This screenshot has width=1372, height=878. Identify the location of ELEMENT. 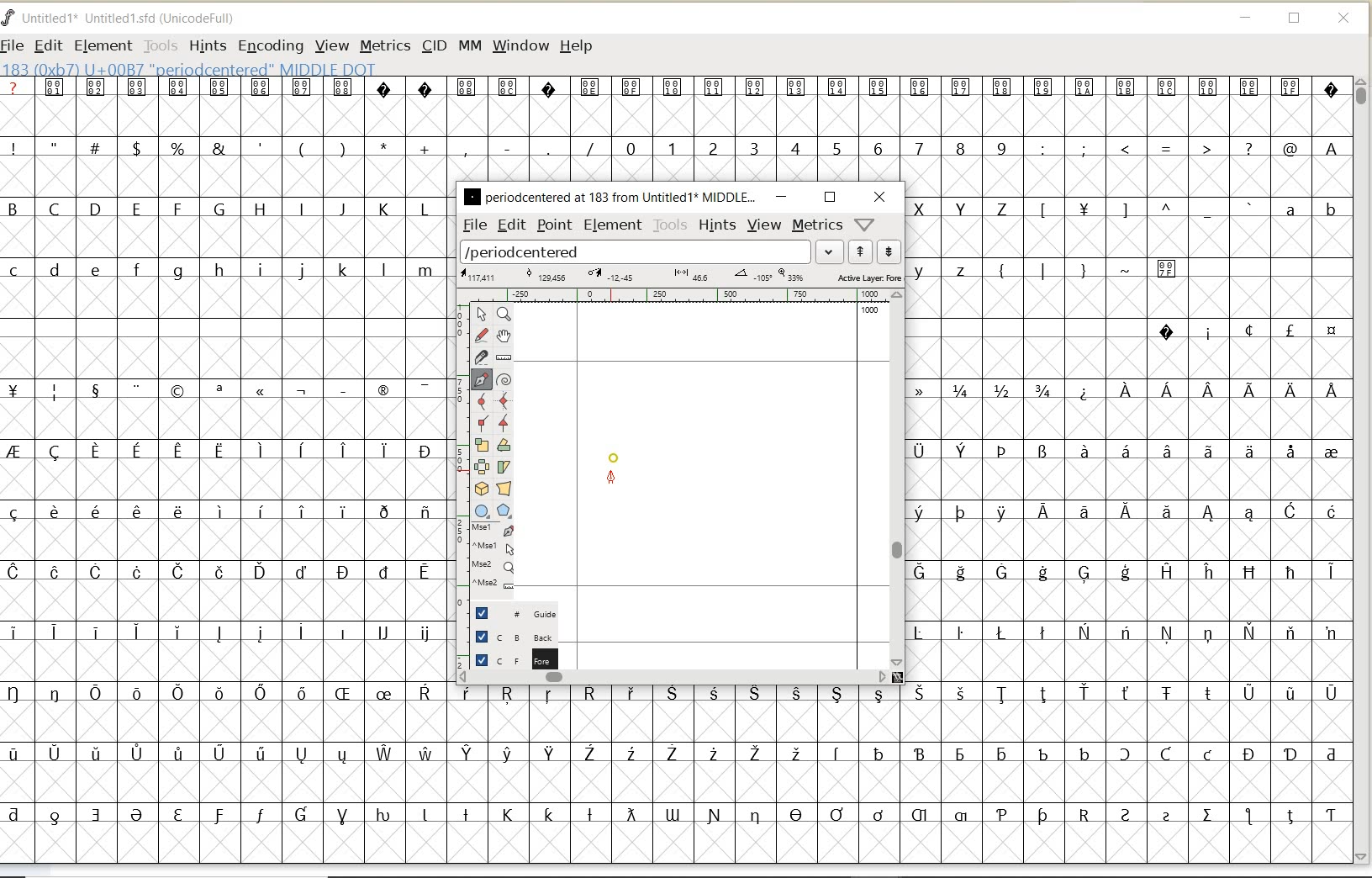
(103, 45).